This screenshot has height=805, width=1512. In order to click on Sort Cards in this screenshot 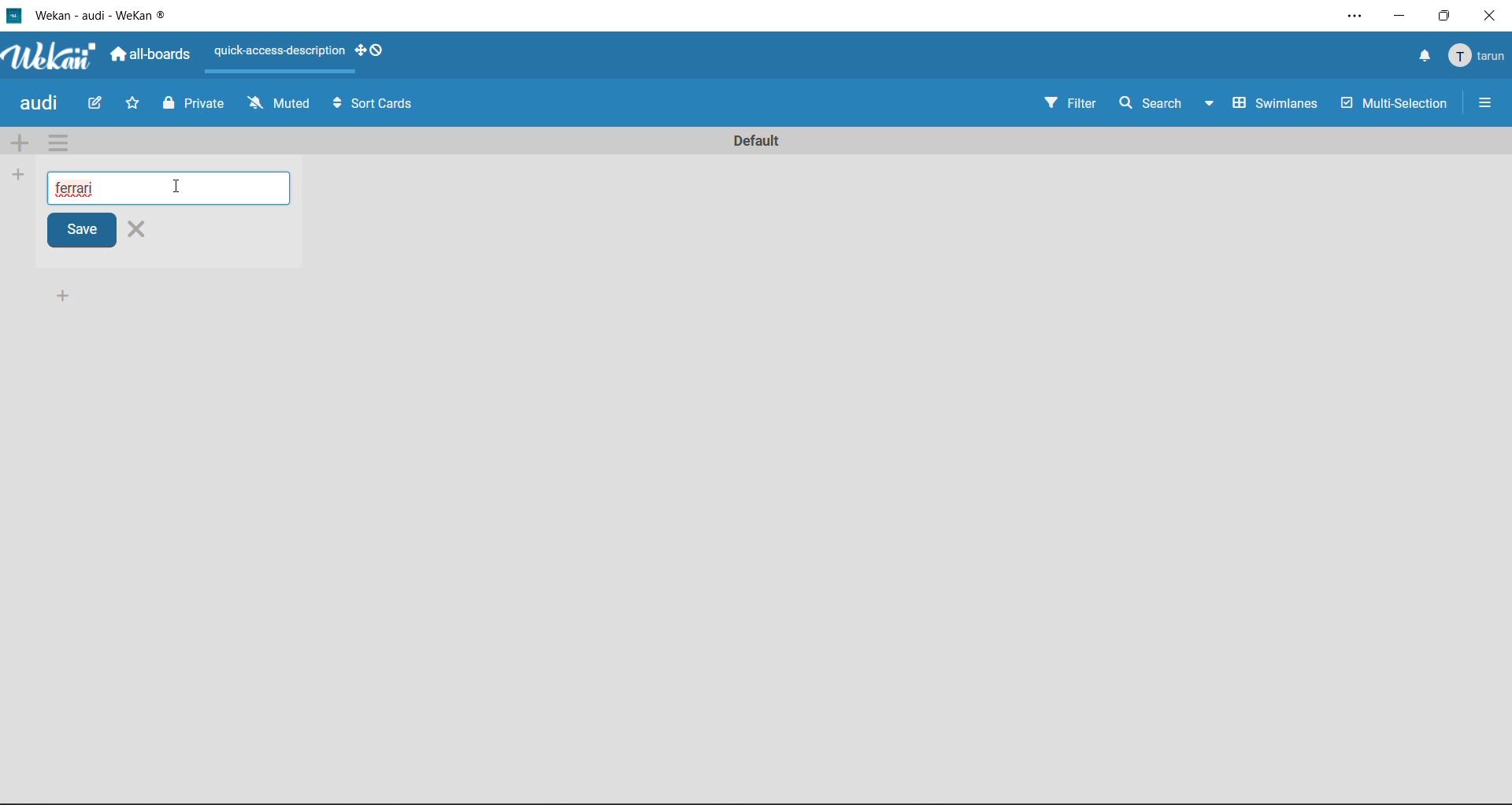, I will do `click(385, 103)`.